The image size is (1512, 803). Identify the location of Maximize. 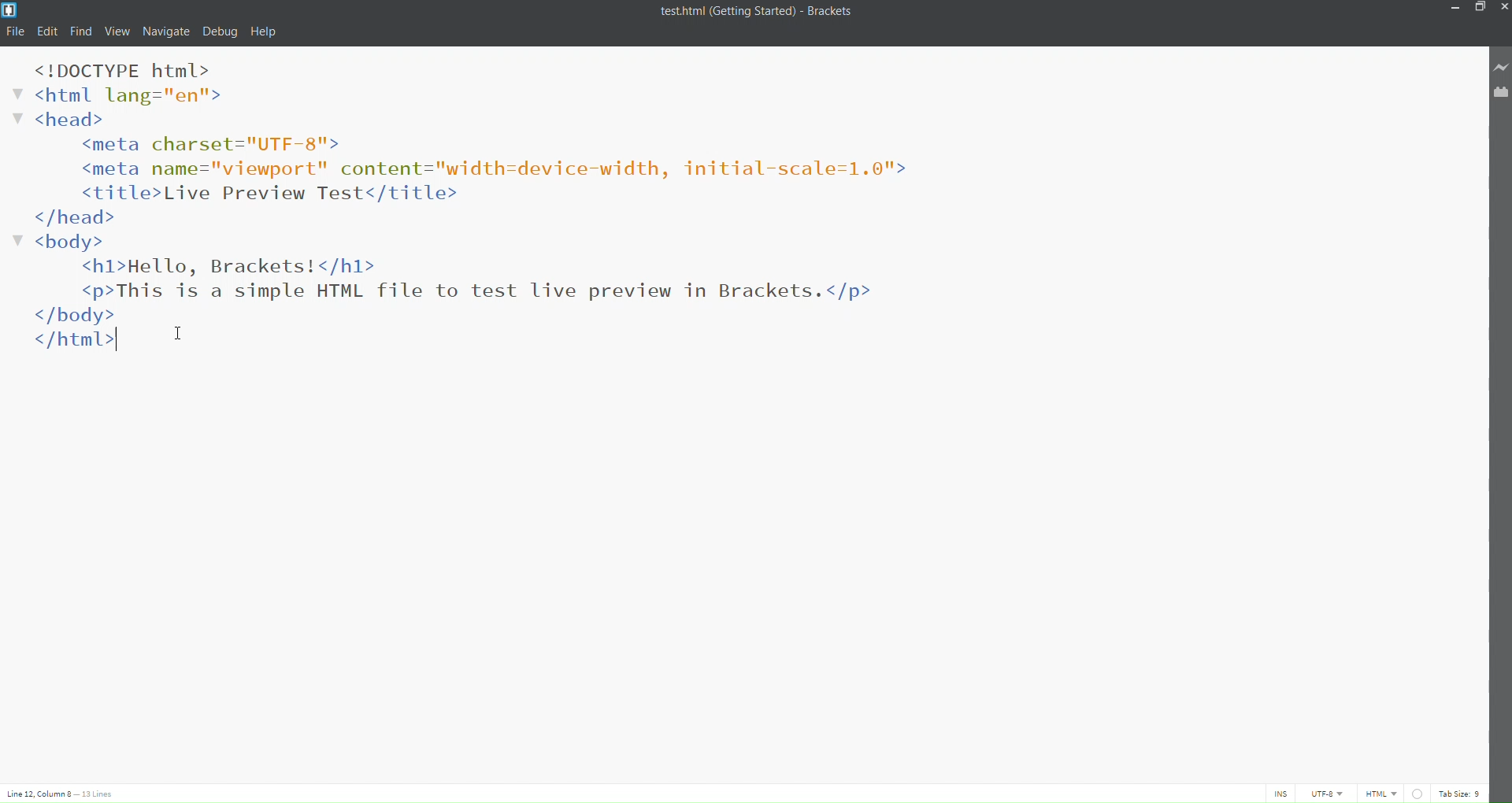
(1478, 7).